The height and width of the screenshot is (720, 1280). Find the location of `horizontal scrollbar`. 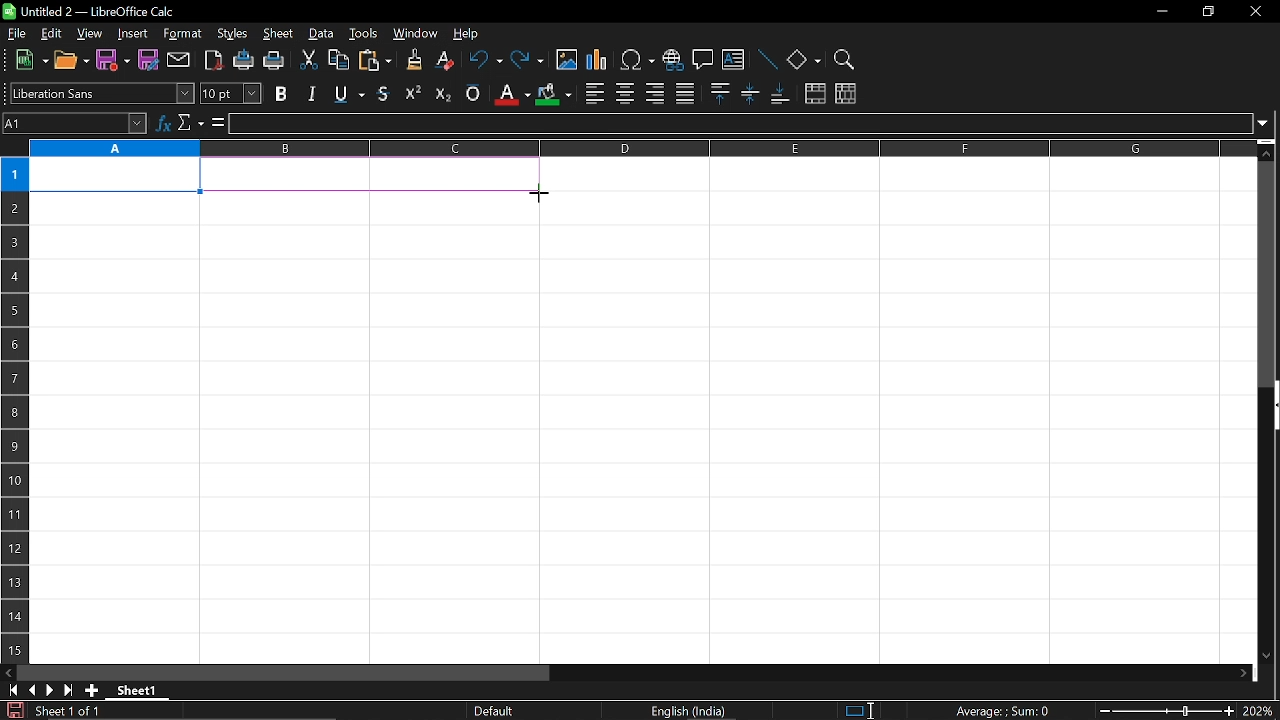

horizontal scrollbar is located at coordinates (284, 673).